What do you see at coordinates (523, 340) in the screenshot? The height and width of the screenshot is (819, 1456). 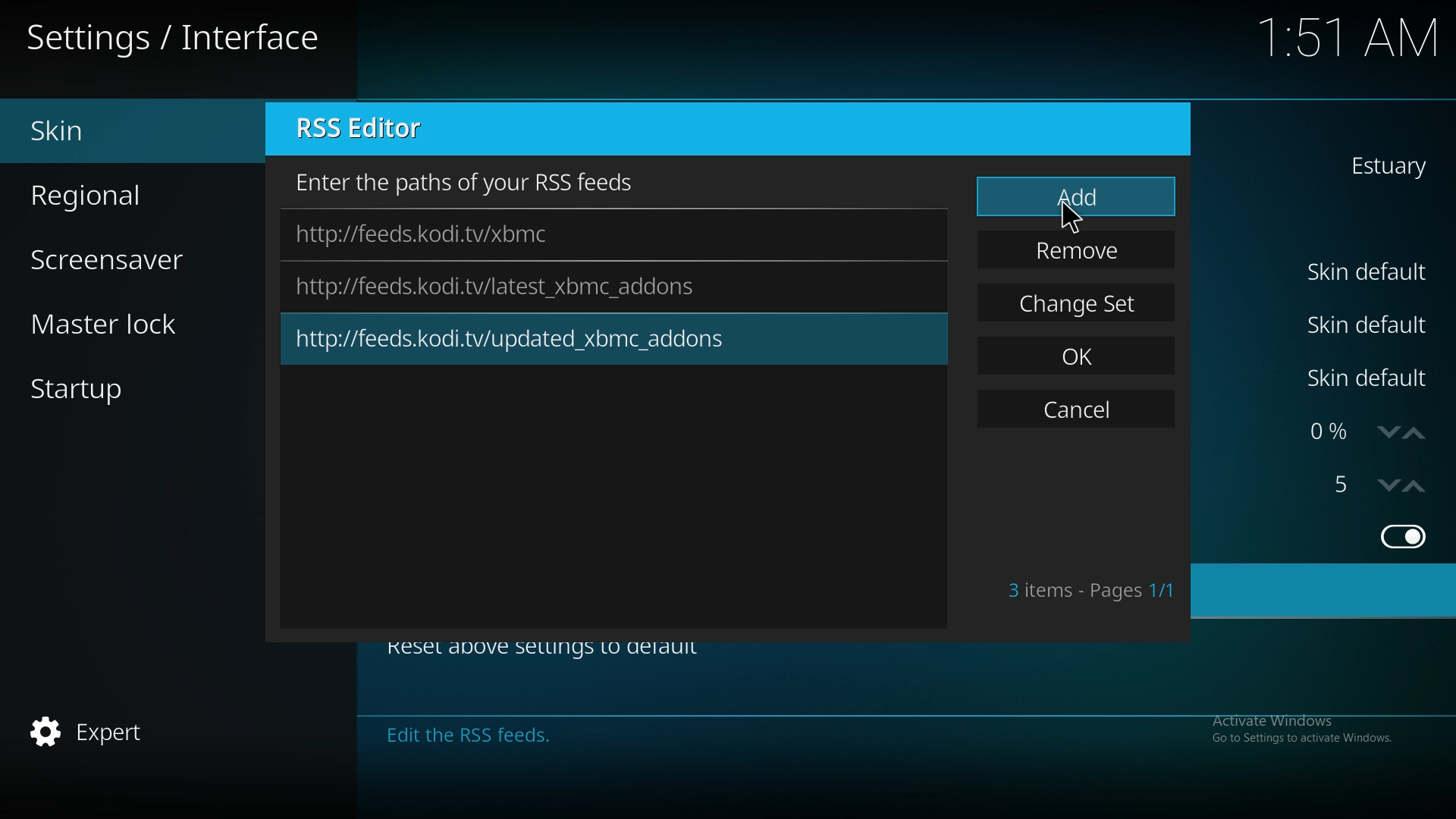 I see `path` at bounding box center [523, 340].